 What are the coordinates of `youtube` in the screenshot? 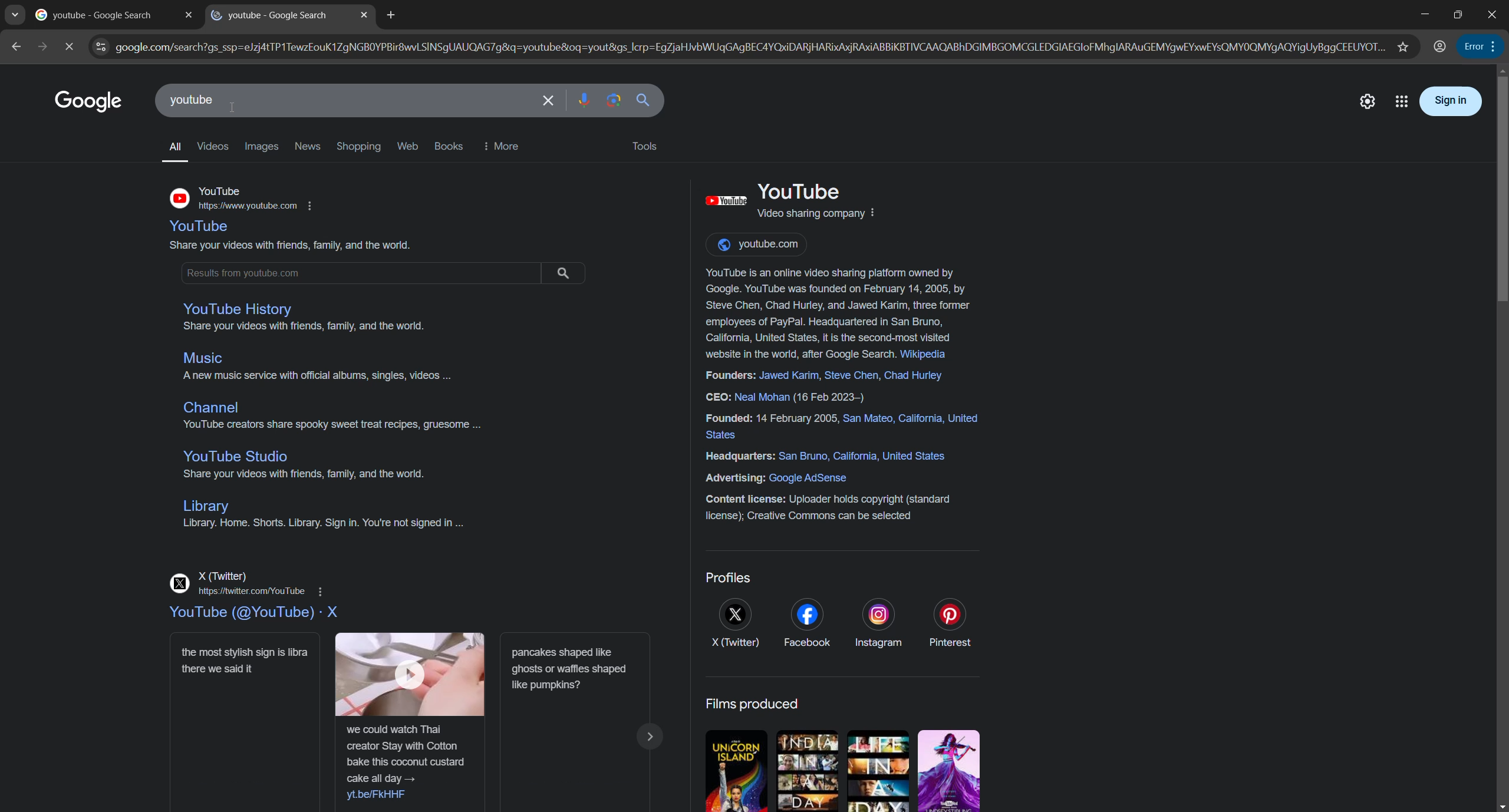 It's located at (253, 614).